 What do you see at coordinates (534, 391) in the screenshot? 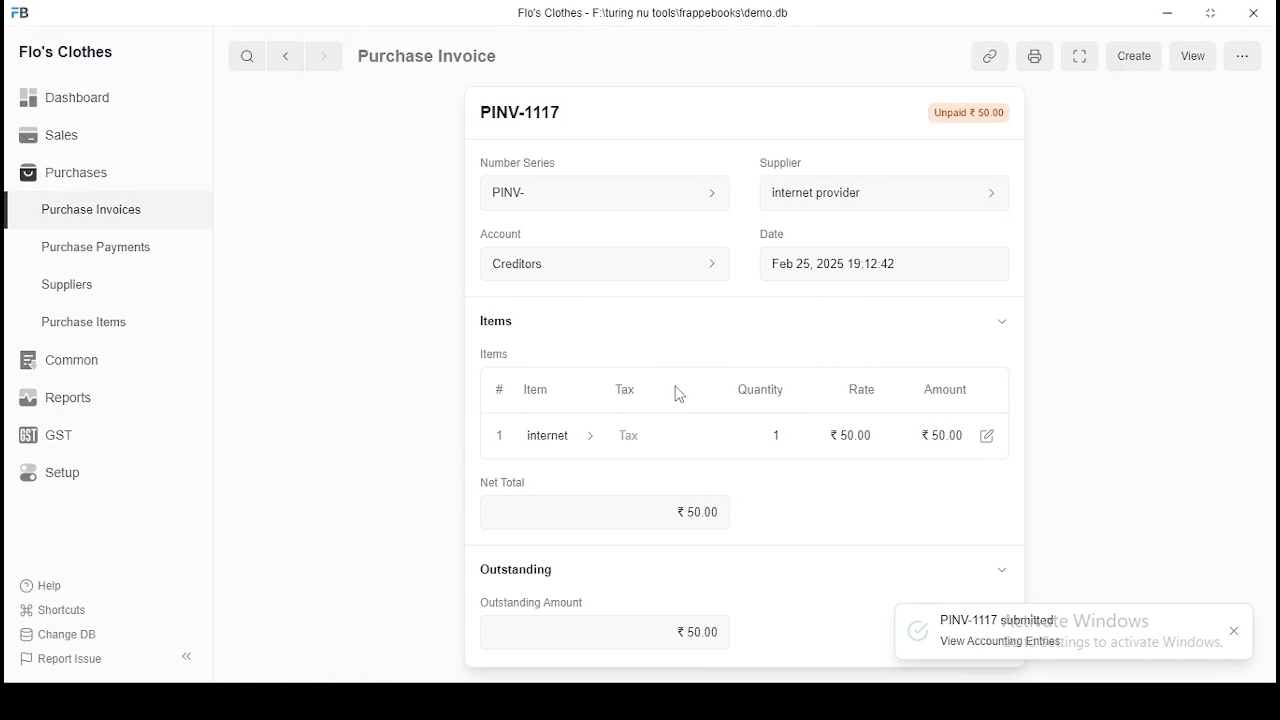
I see `item` at bounding box center [534, 391].